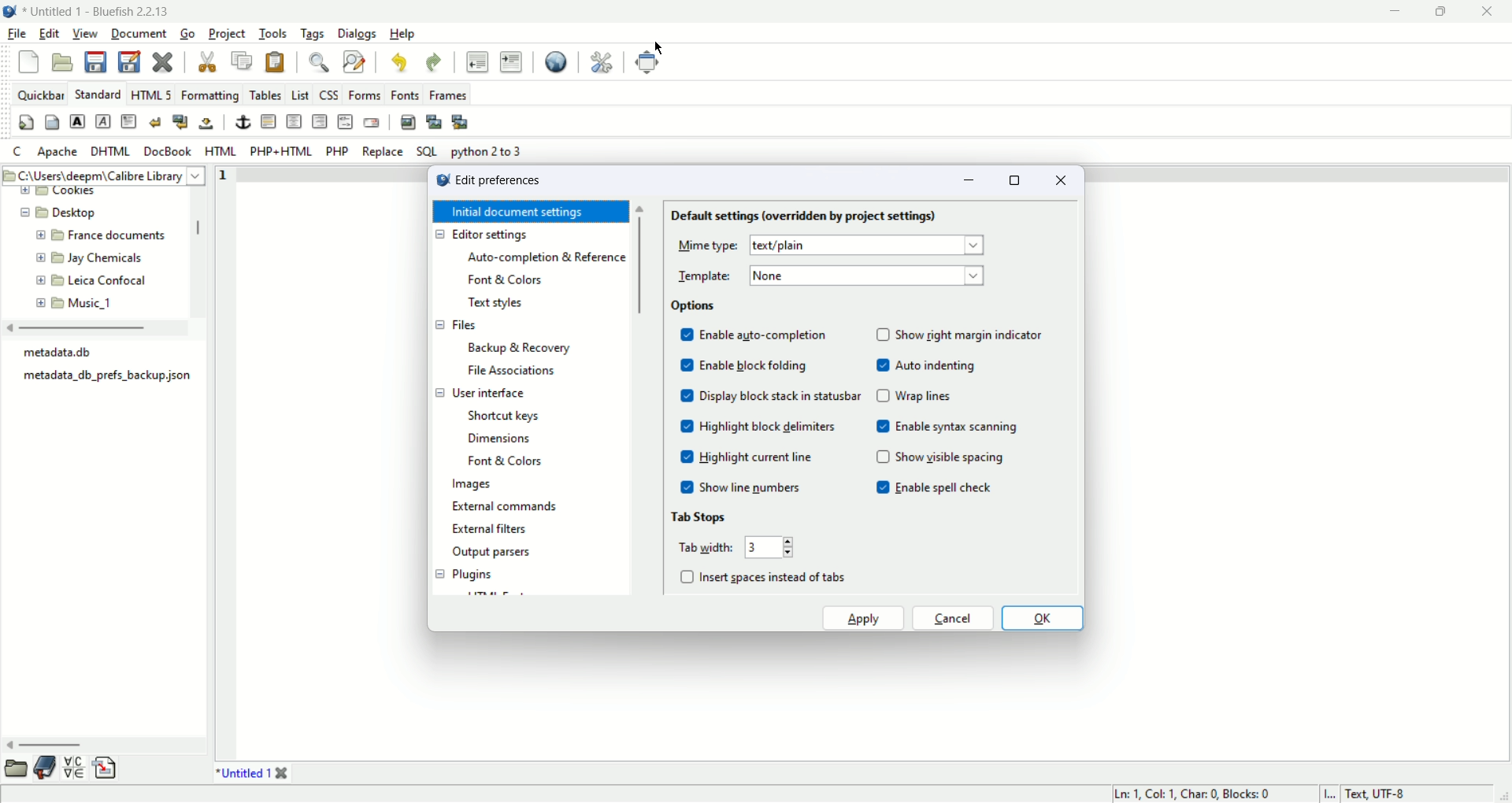 This screenshot has height=803, width=1512. What do you see at coordinates (373, 121) in the screenshot?
I see `email` at bounding box center [373, 121].